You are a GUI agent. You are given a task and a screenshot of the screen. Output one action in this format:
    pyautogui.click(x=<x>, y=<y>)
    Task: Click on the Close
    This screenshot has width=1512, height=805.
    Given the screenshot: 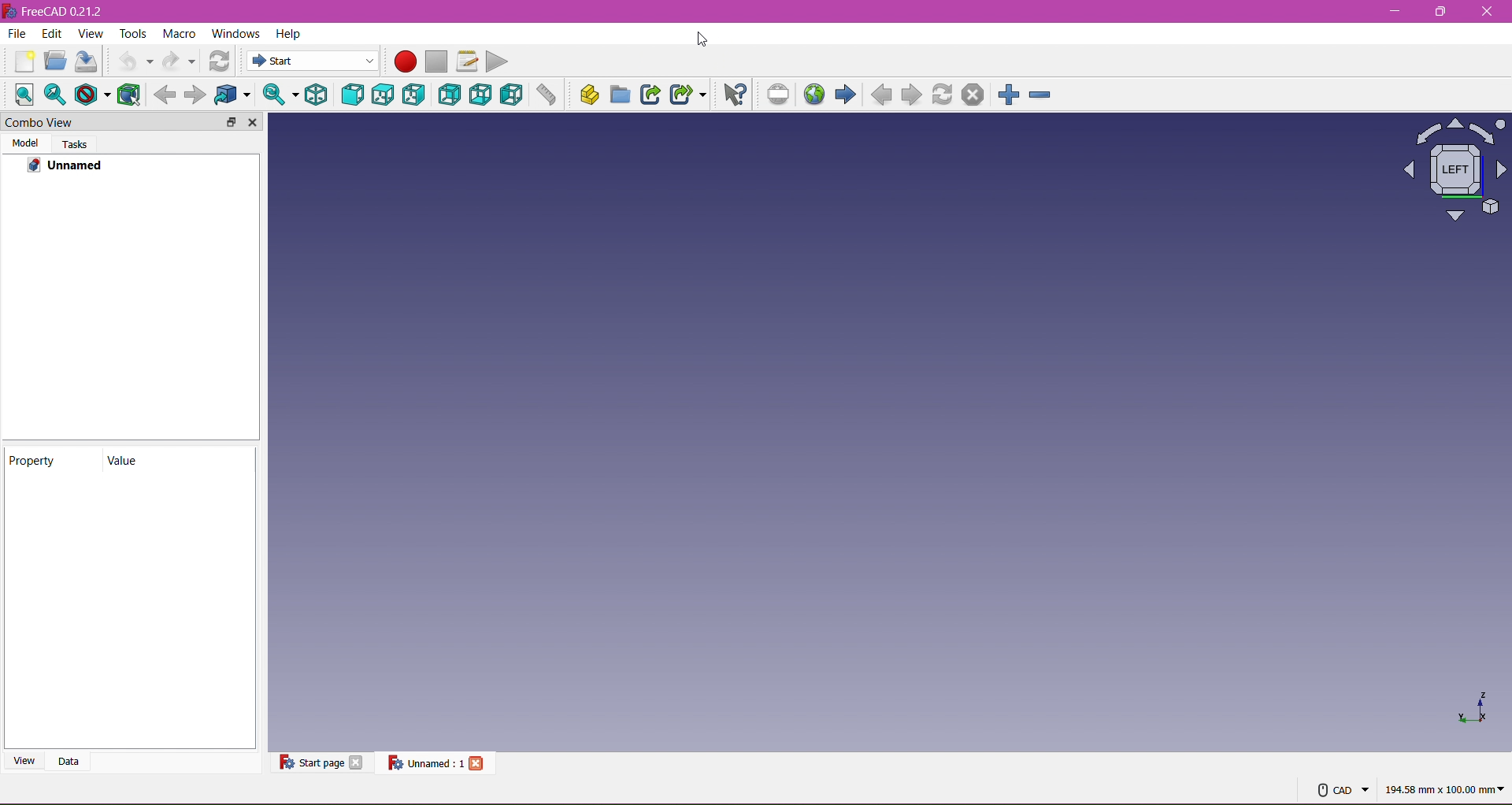 What is the action you would take?
    pyautogui.click(x=356, y=762)
    